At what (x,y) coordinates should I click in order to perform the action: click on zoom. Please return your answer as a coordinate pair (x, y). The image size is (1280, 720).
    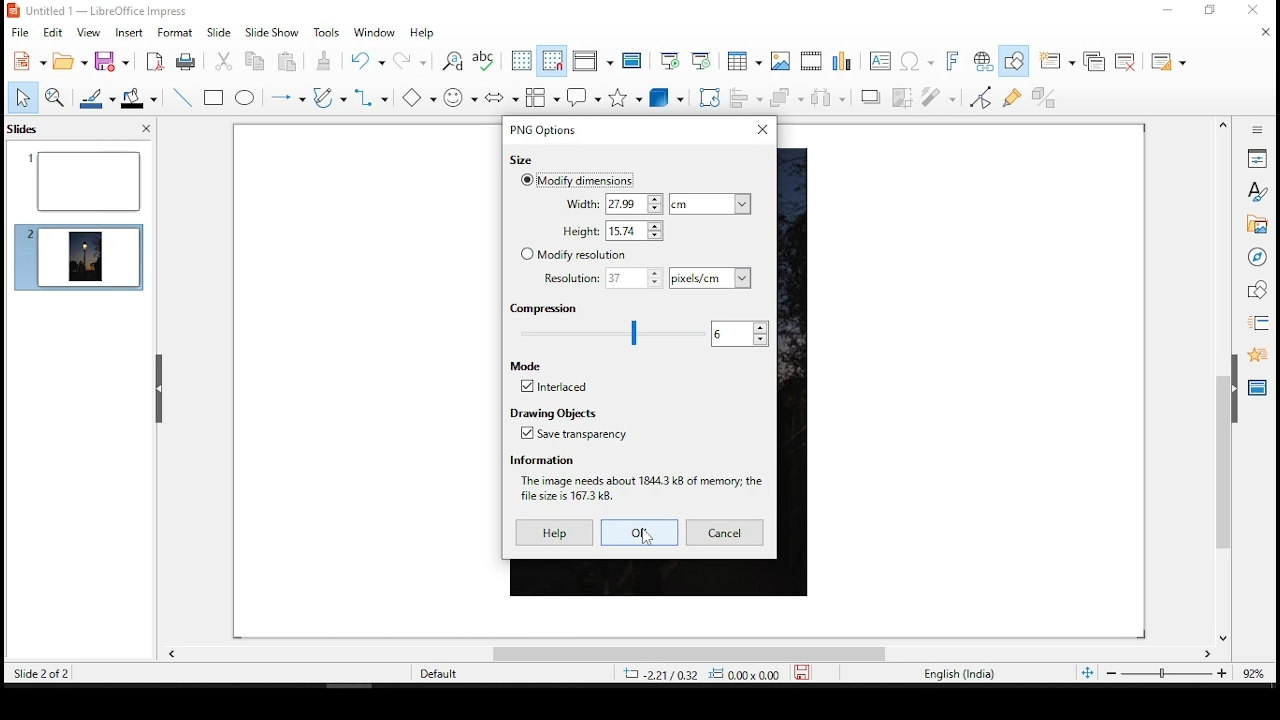
    Looking at the image, I should click on (1181, 673).